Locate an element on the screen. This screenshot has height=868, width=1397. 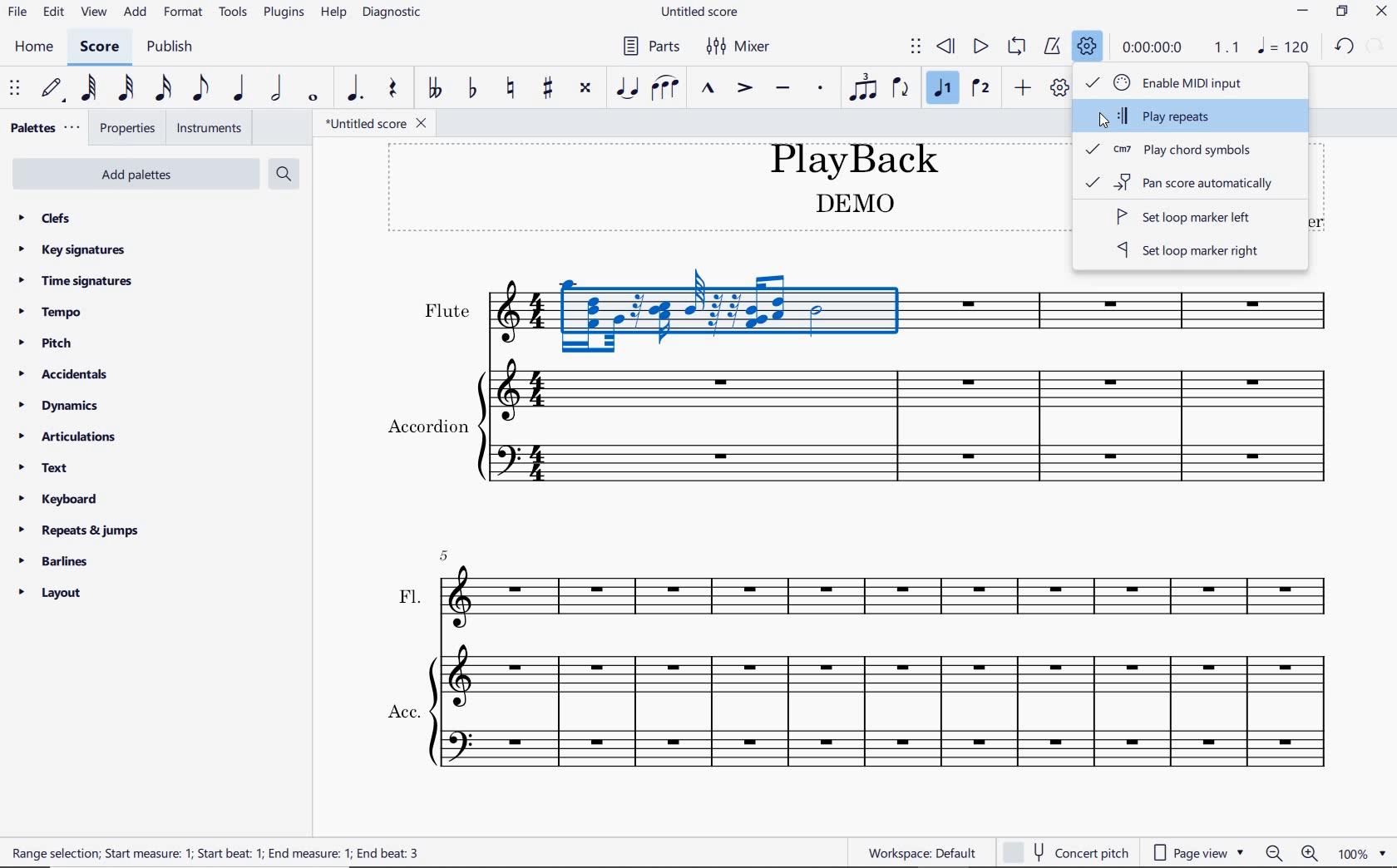
barlines is located at coordinates (59, 562).